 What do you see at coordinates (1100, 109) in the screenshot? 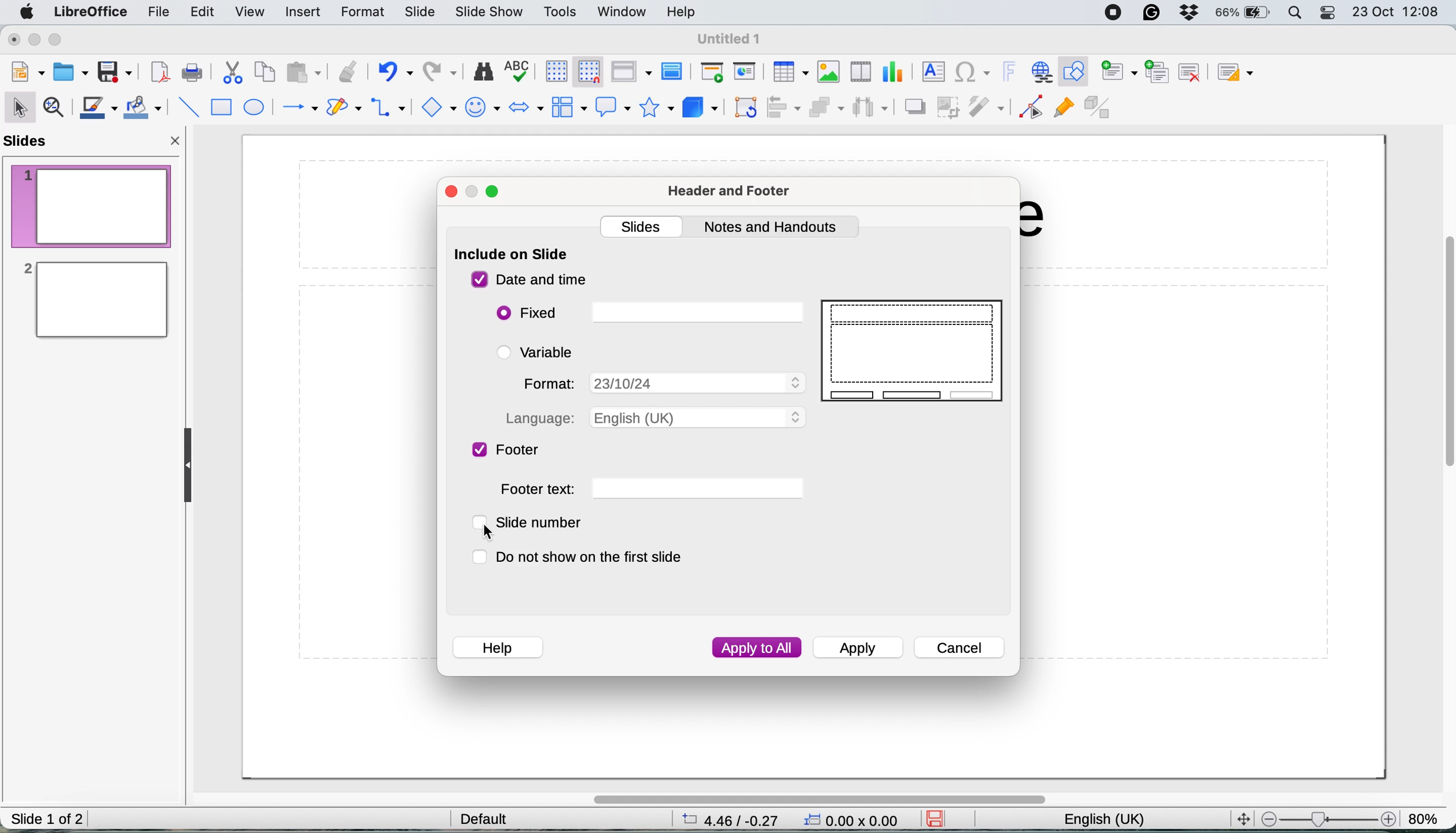
I see `toggle extrusion` at bounding box center [1100, 109].